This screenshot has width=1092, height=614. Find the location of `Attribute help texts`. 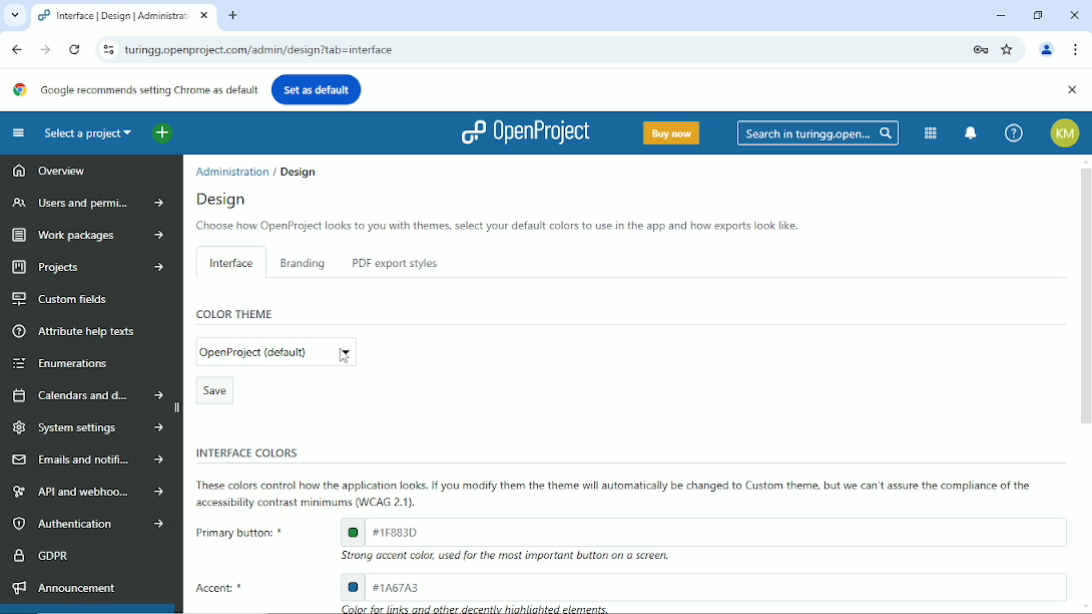

Attribute help texts is located at coordinates (78, 331).